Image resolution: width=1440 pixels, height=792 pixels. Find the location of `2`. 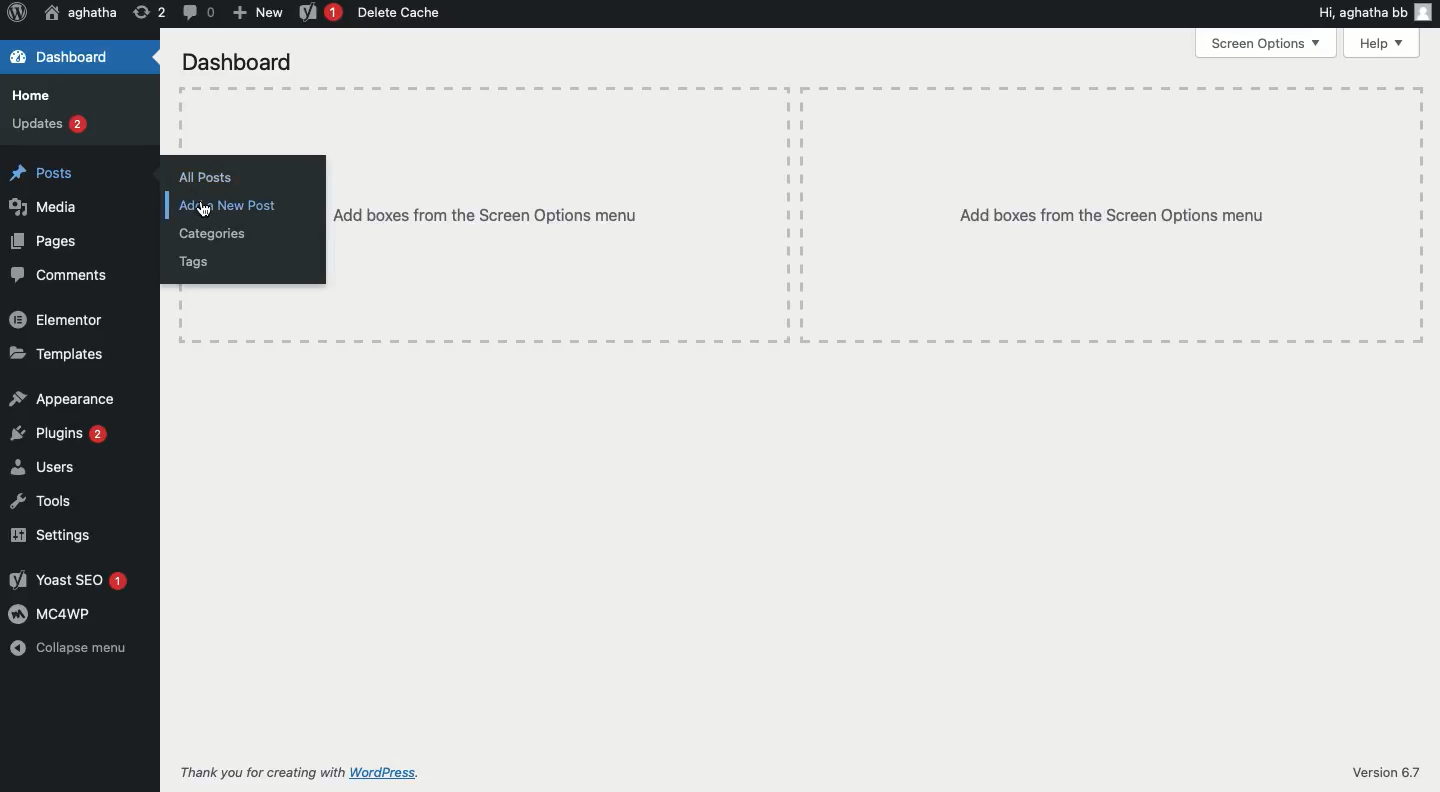

2 is located at coordinates (150, 15).